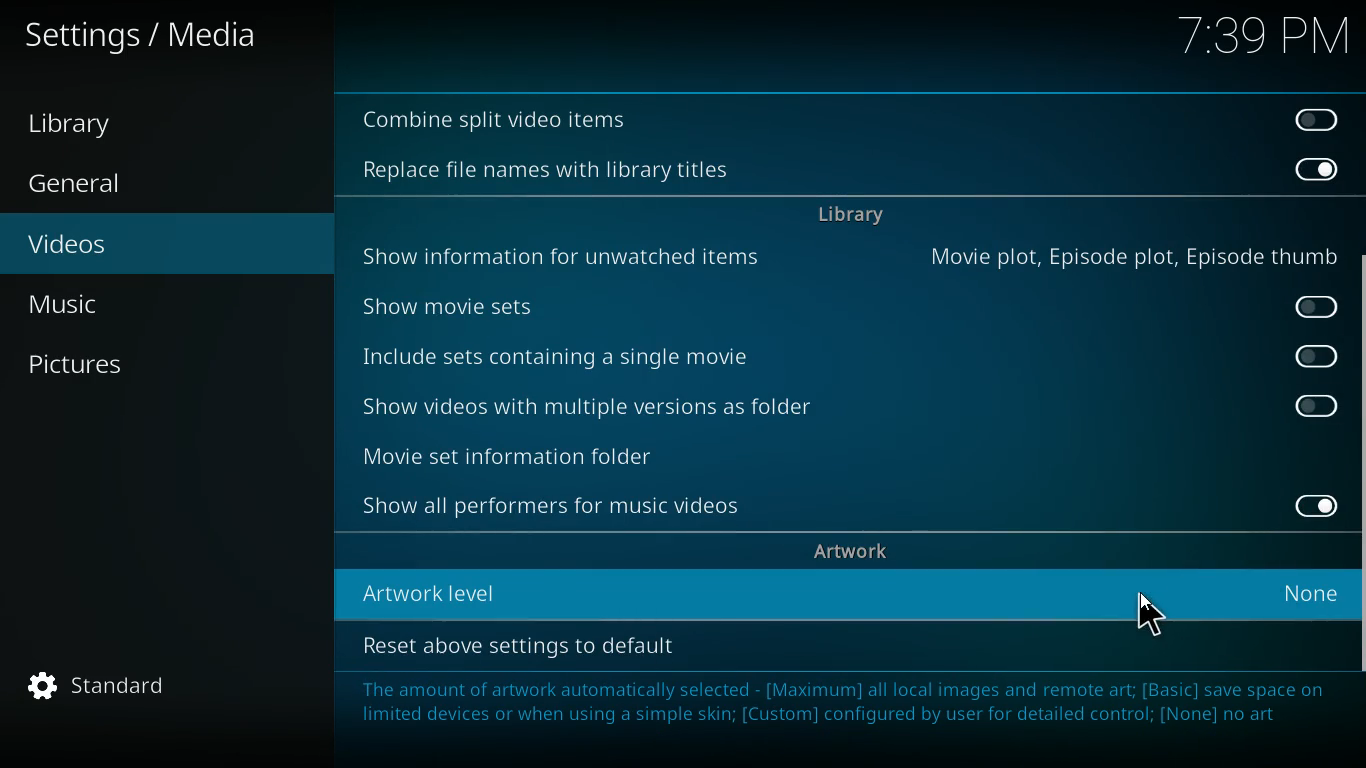 The width and height of the screenshot is (1366, 768). What do you see at coordinates (1318, 357) in the screenshot?
I see `off` at bounding box center [1318, 357].